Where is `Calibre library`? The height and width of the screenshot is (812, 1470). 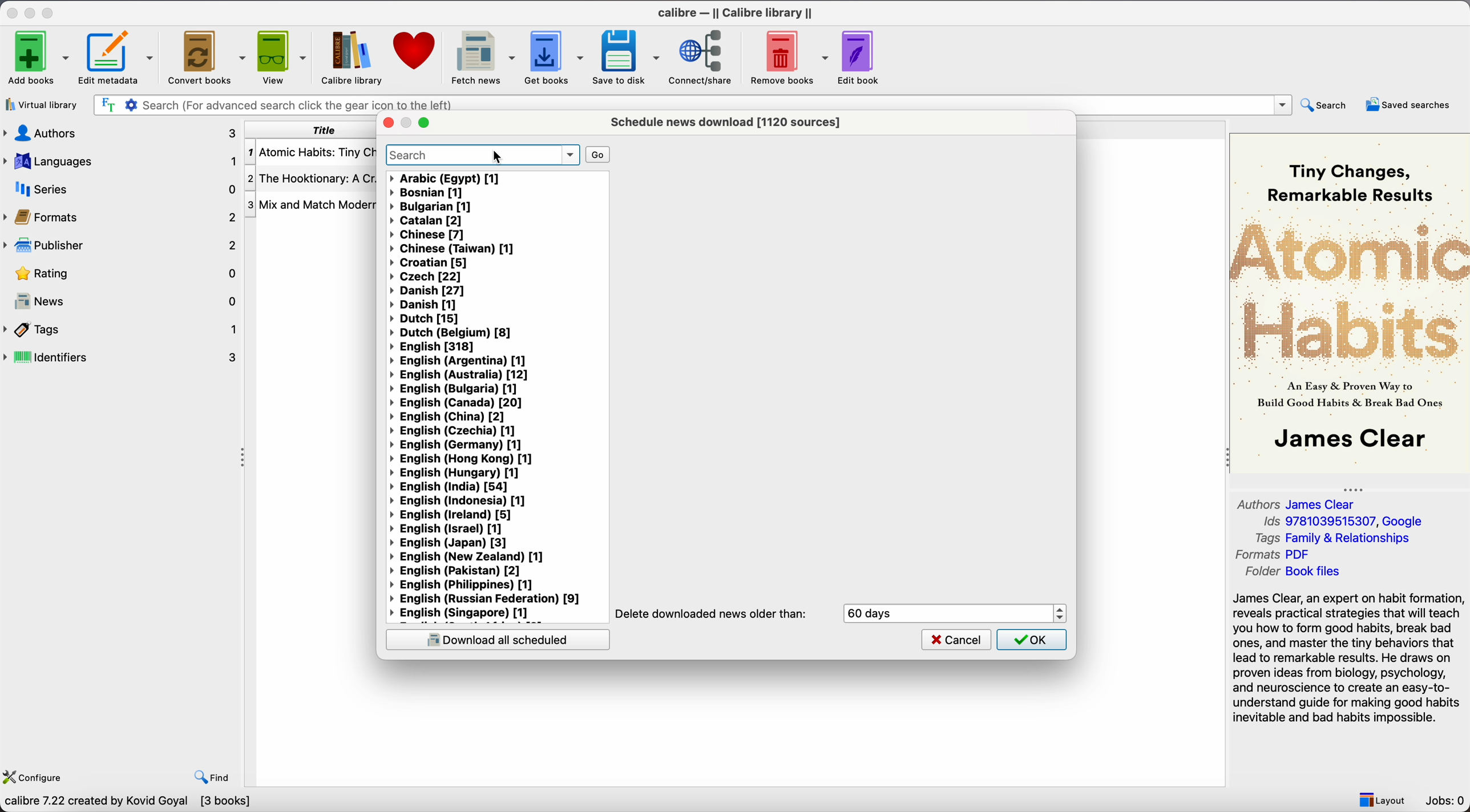
Calibre library is located at coordinates (351, 57).